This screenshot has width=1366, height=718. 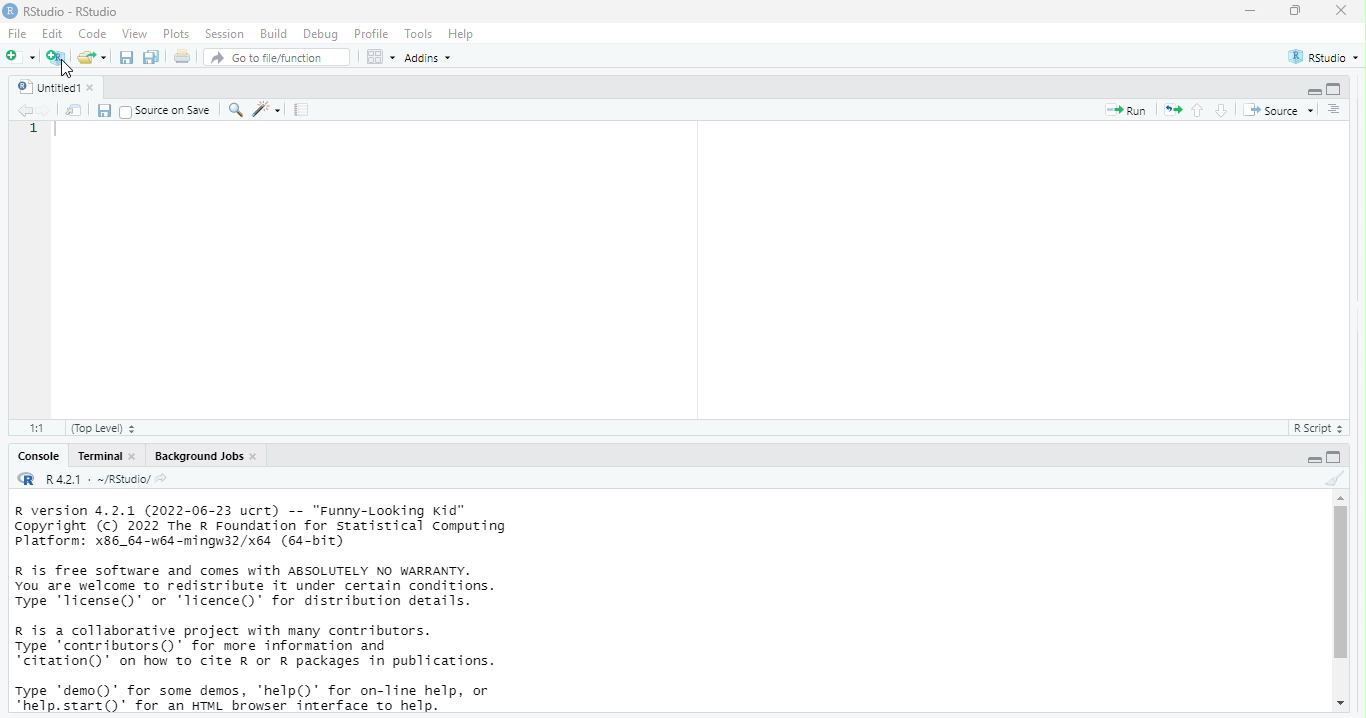 What do you see at coordinates (98, 456) in the screenshot?
I see `terminal` at bounding box center [98, 456].